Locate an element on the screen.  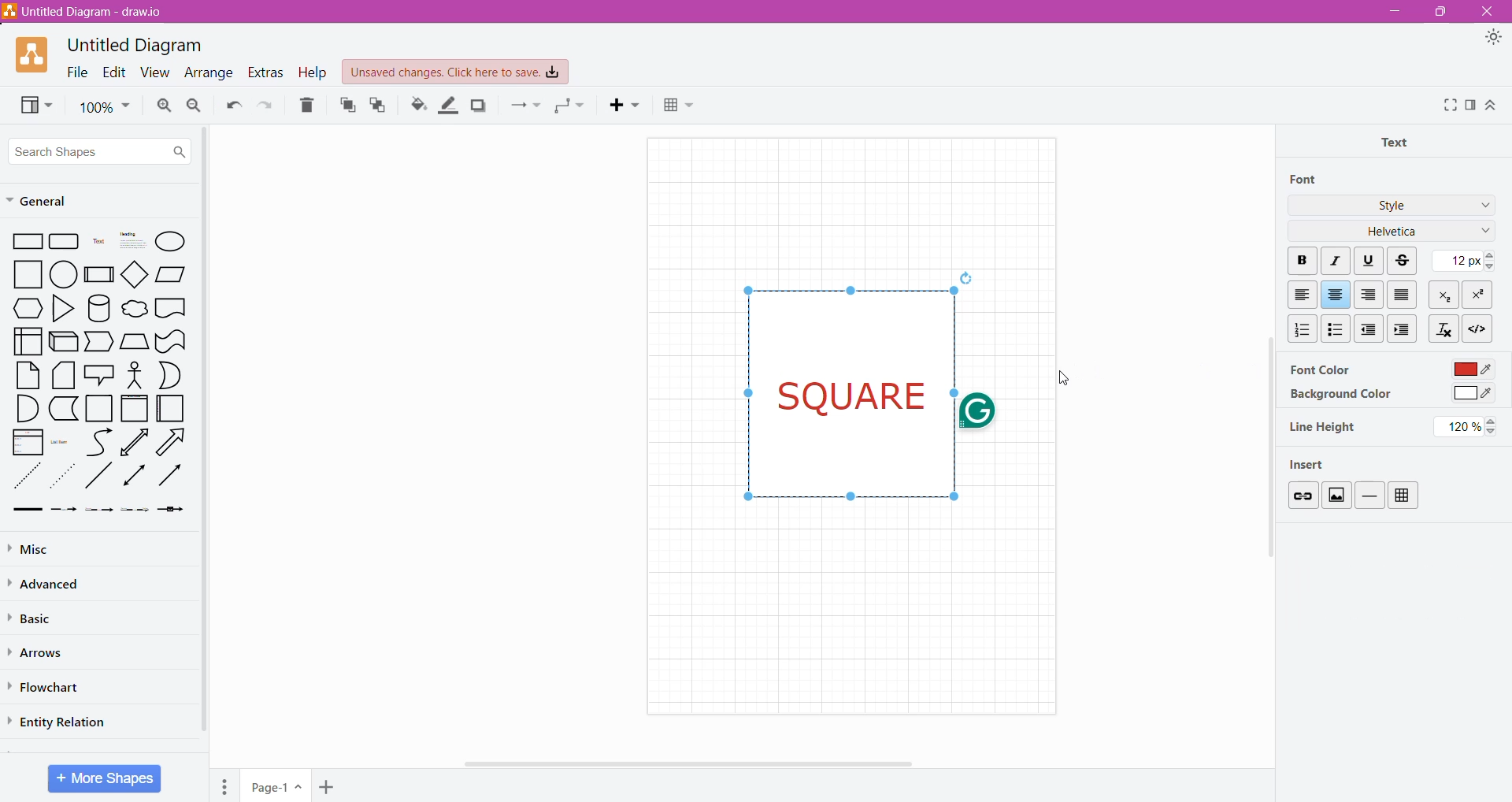
Thin Arrow is located at coordinates (98, 510).